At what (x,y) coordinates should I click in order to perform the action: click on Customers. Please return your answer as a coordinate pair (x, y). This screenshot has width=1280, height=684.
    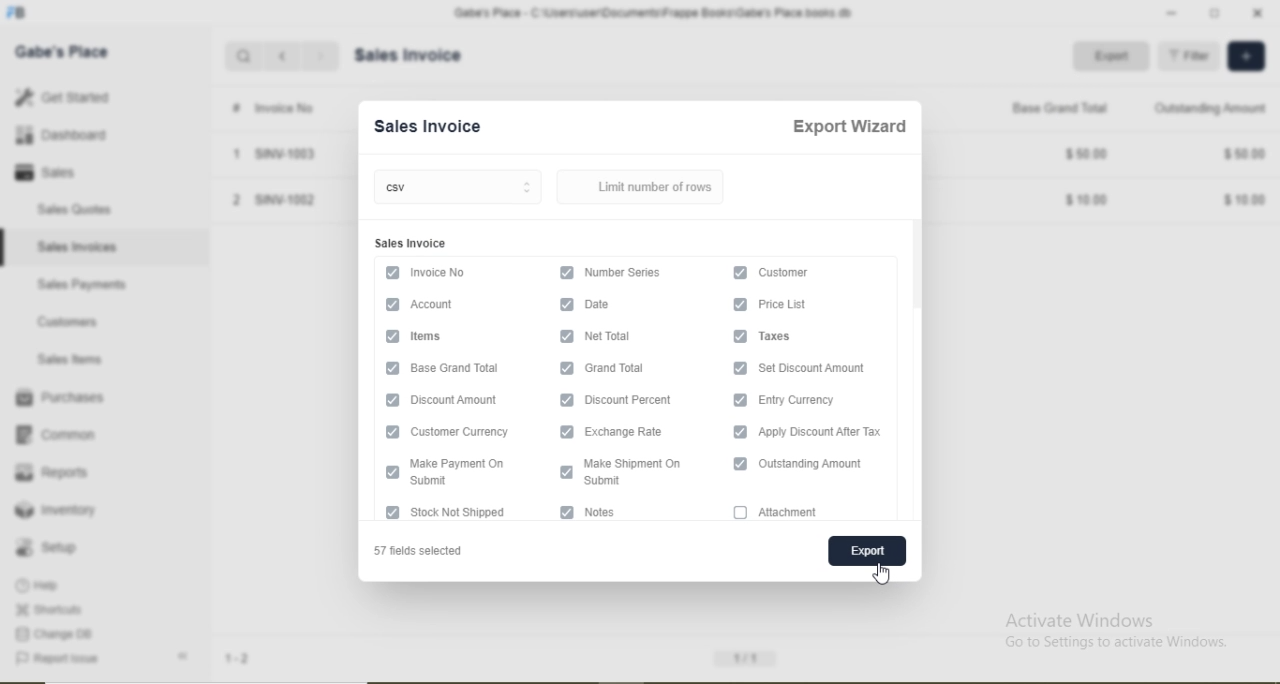
    Looking at the image, I should click on (69, 320).